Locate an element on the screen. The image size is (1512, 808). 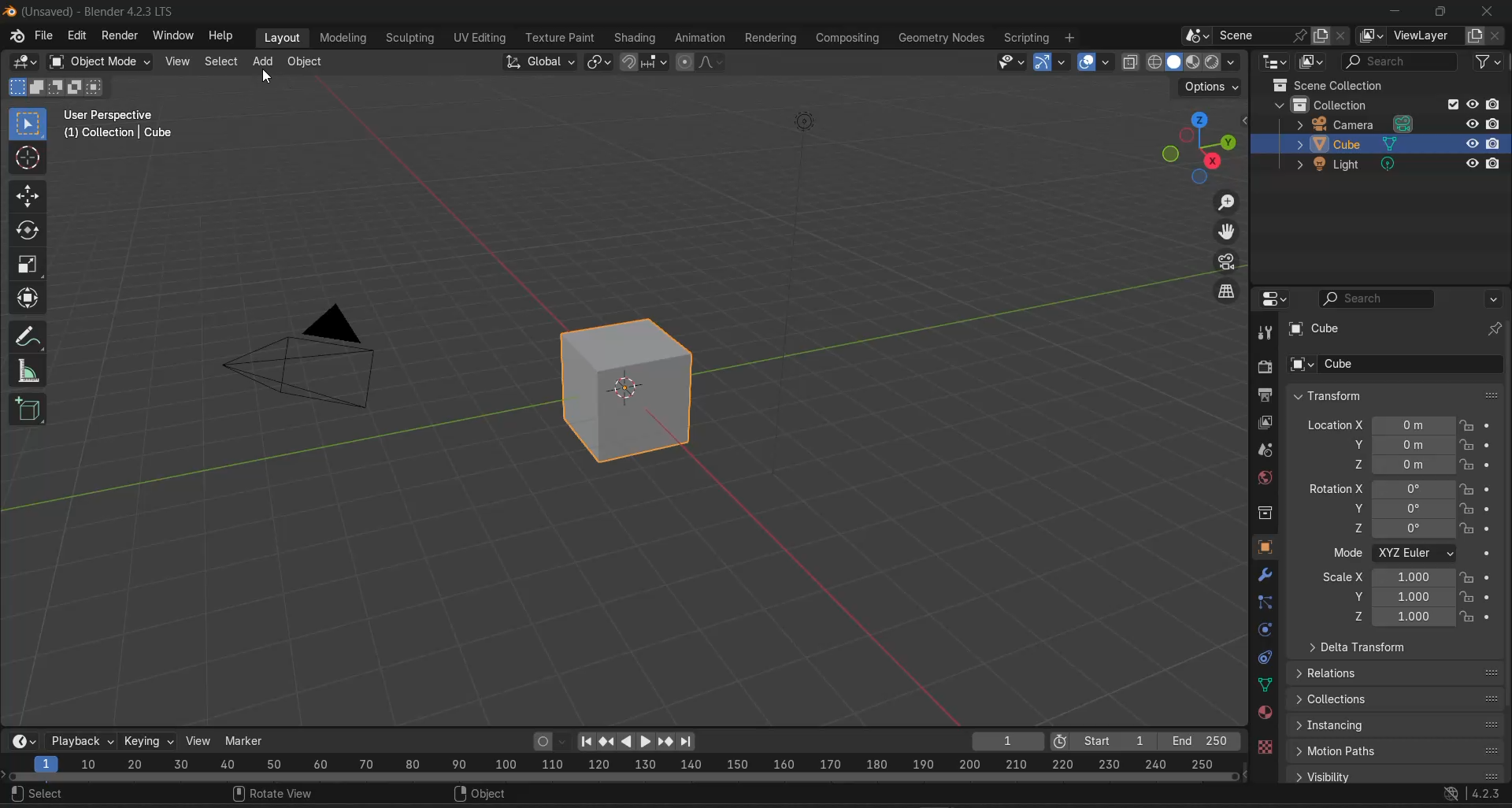
modeling is located at coordinates (346, 35).